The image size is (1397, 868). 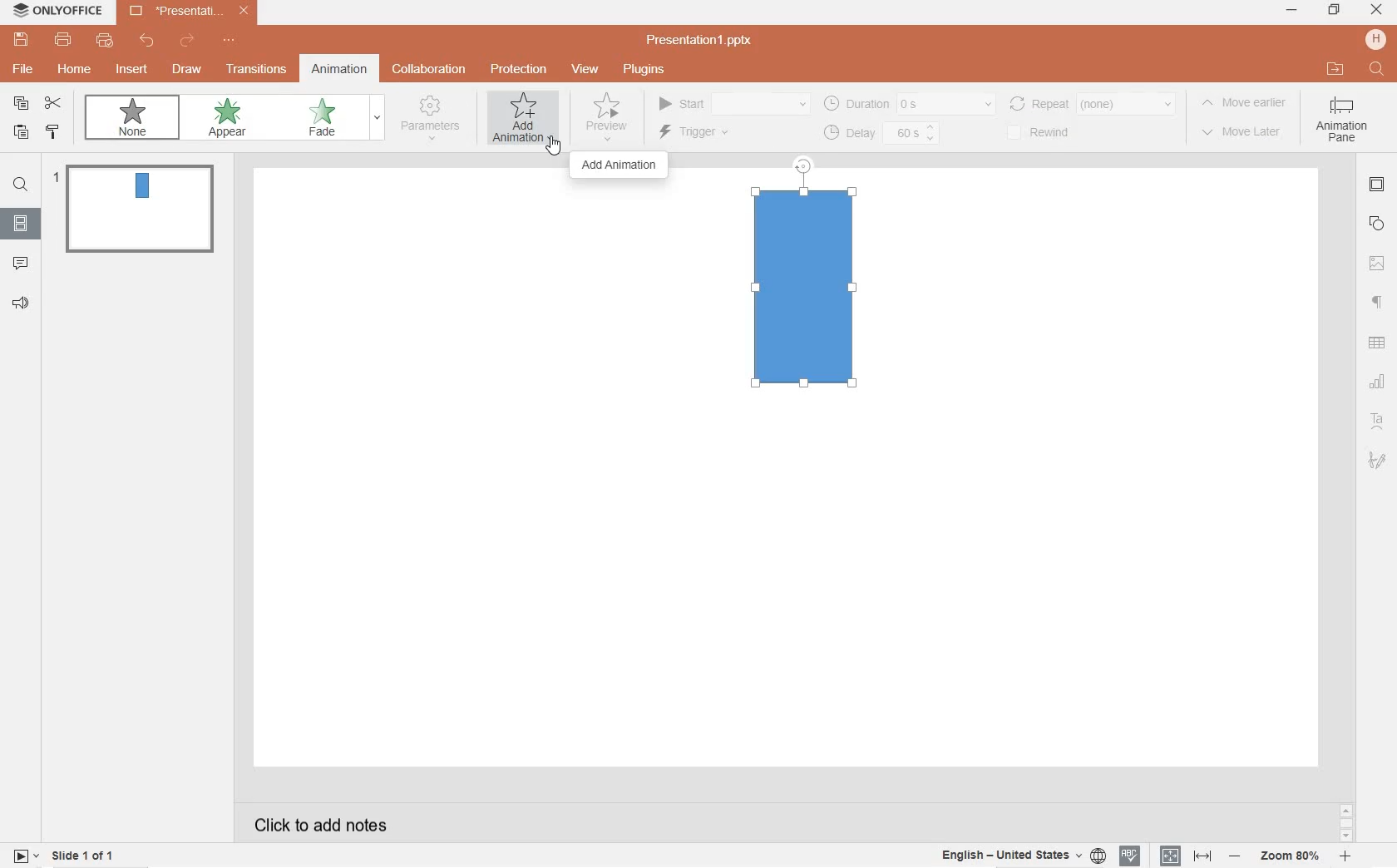 What do you see at coordinates (54, 134) in the screenshot?
I see `copy style` at bounding box center [54, 134].